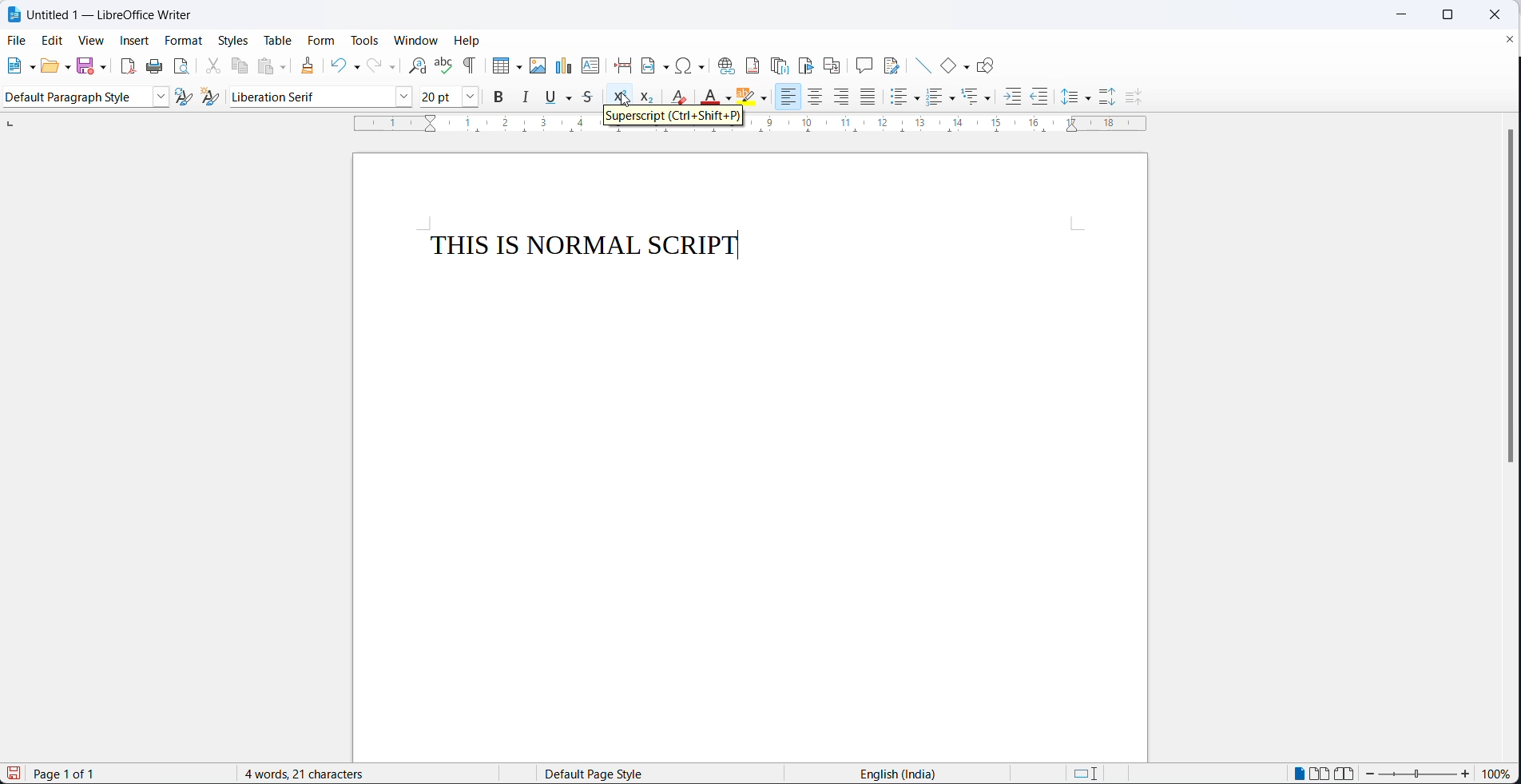 The image size is (1521, 784). Describe the element at coordinates (77, 774) in the screenshot. I see `current page` at that location.